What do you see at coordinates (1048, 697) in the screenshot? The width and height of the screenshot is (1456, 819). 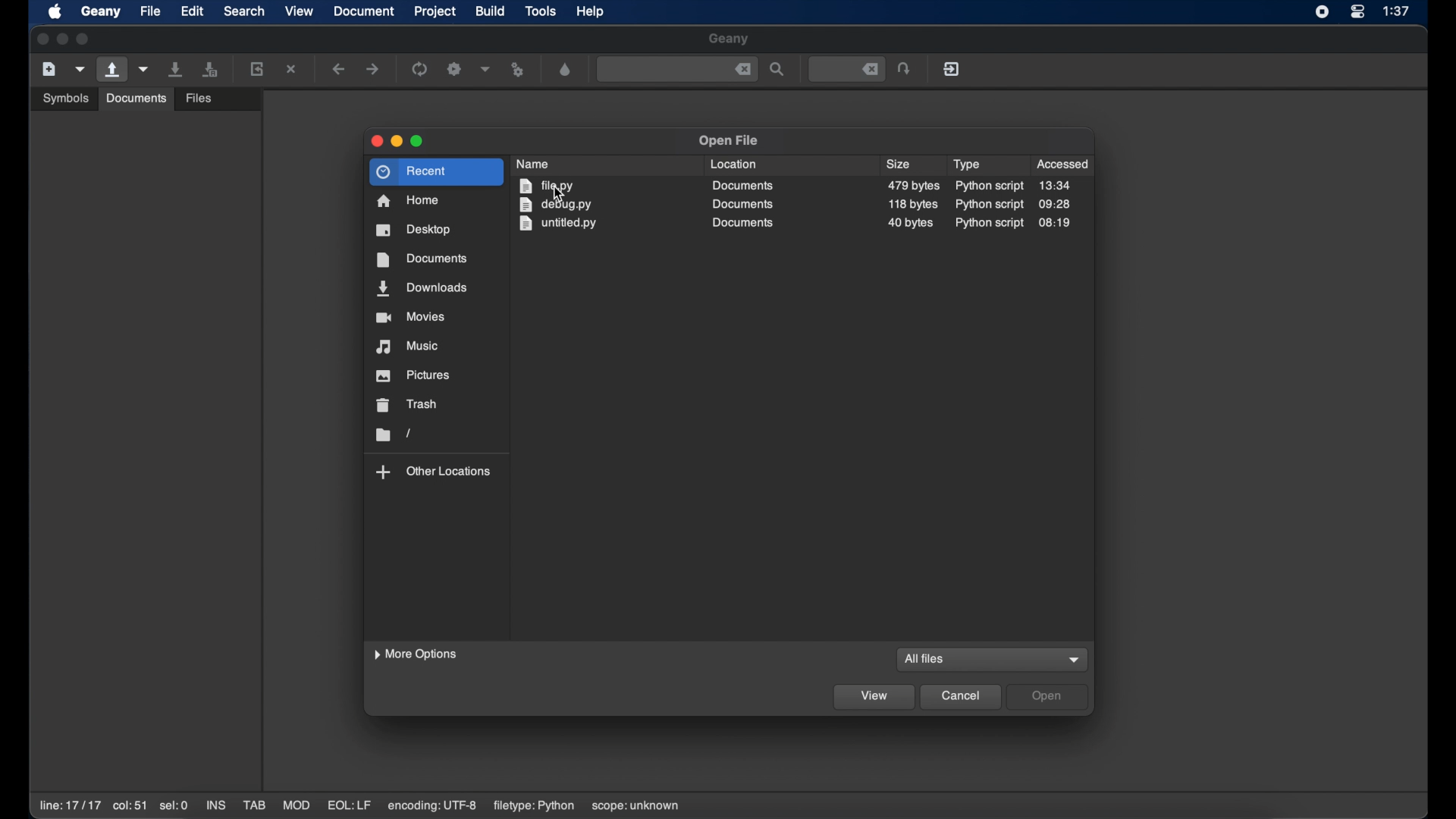 I see `open` at bounding box center [1048, 697].